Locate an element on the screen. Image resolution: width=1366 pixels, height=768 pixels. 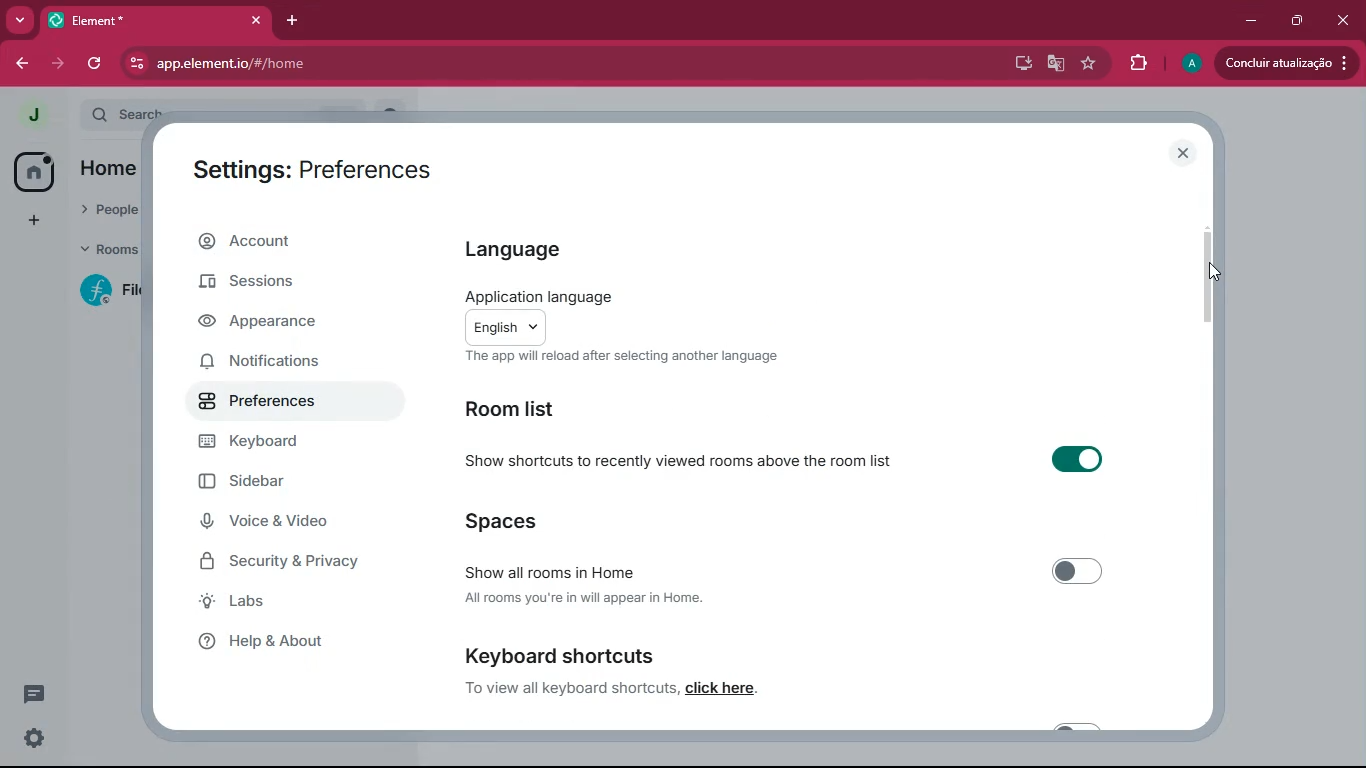
google translate is located at coordinates (1054, 64).